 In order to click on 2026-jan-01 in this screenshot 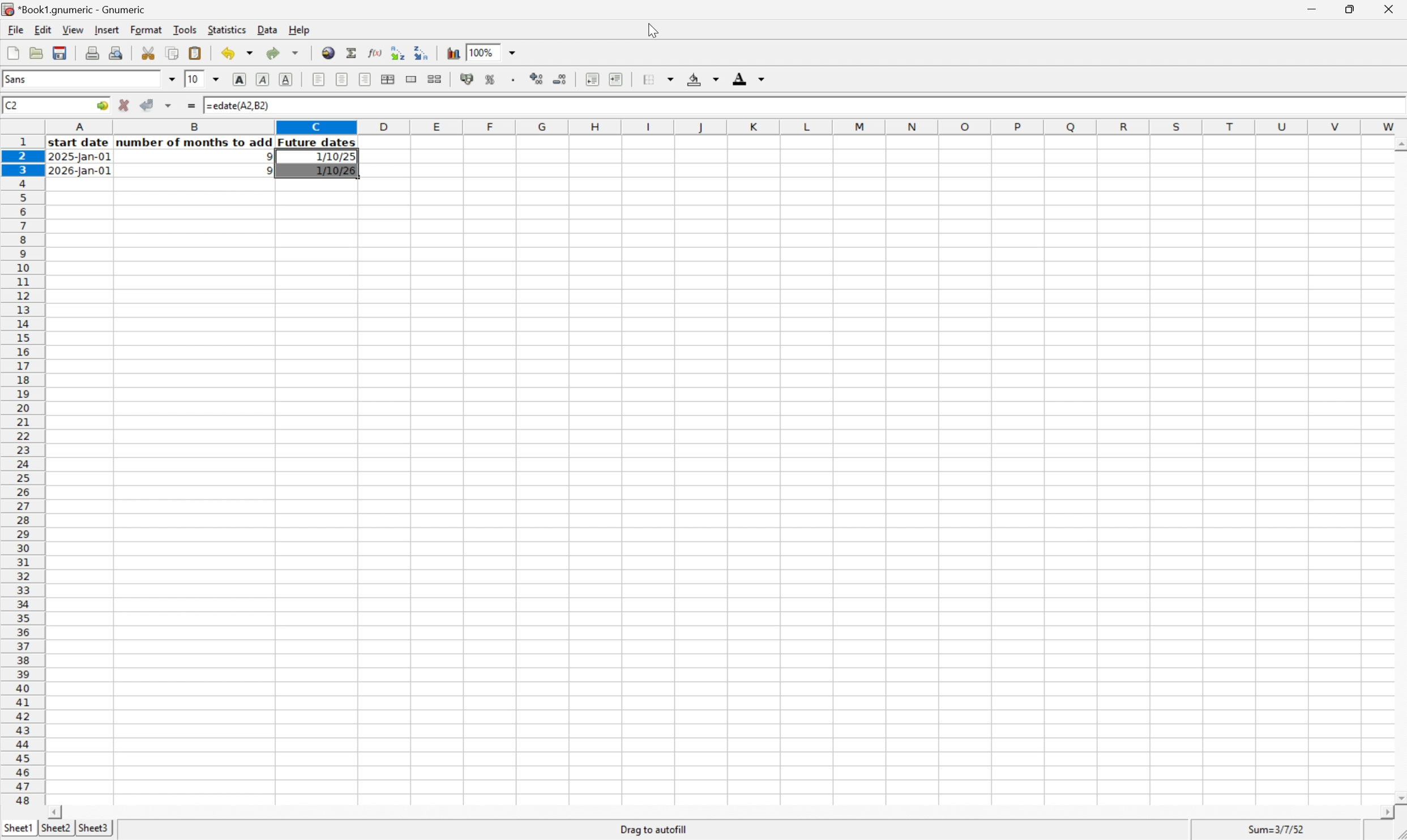, I will do `click(79, 172)`.